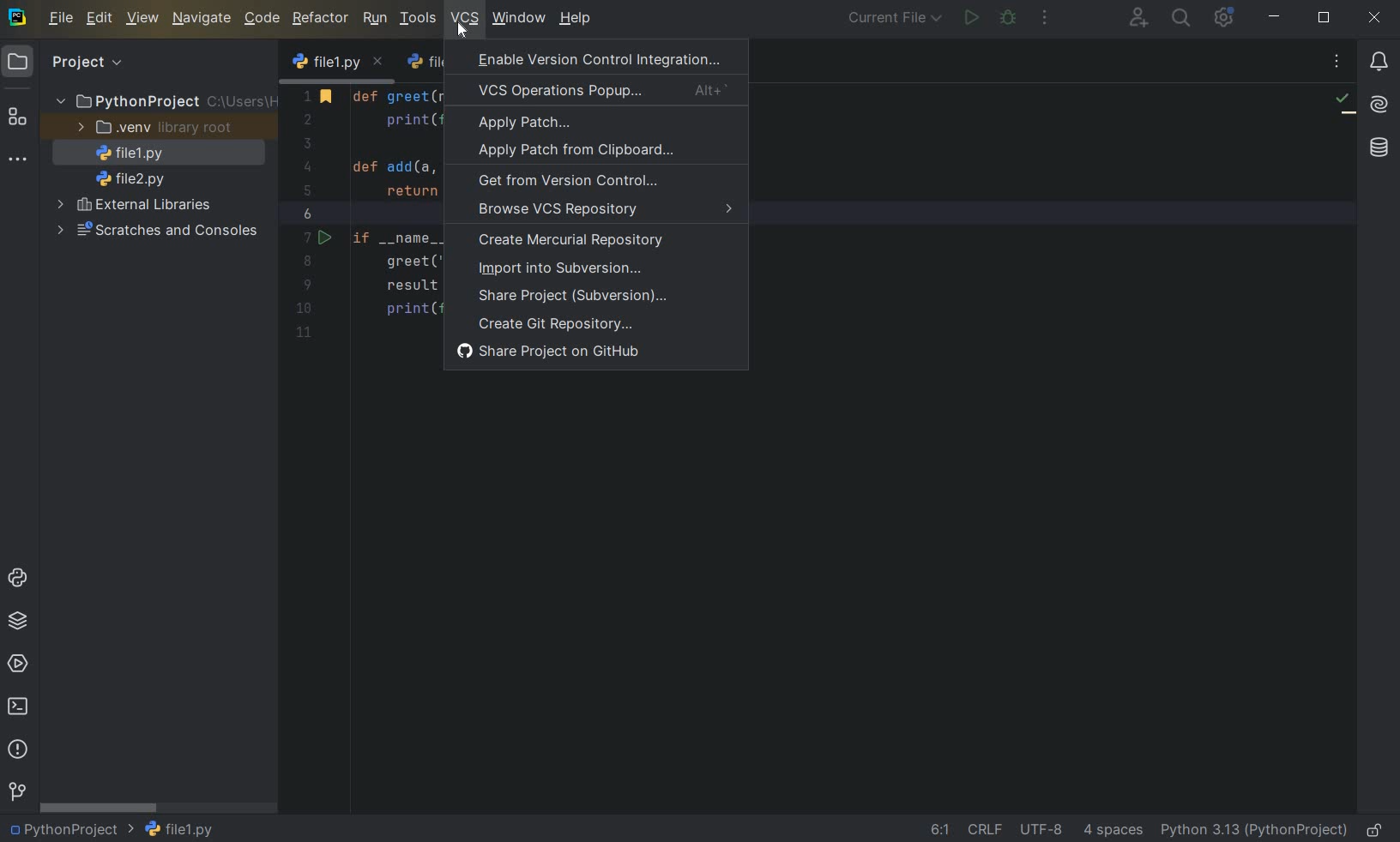 This screenshot has height=842, width=1400. What do you see at coordinates (1115, 830) in the screenshot?
I see `indent` at bounding box center [1115, 830].